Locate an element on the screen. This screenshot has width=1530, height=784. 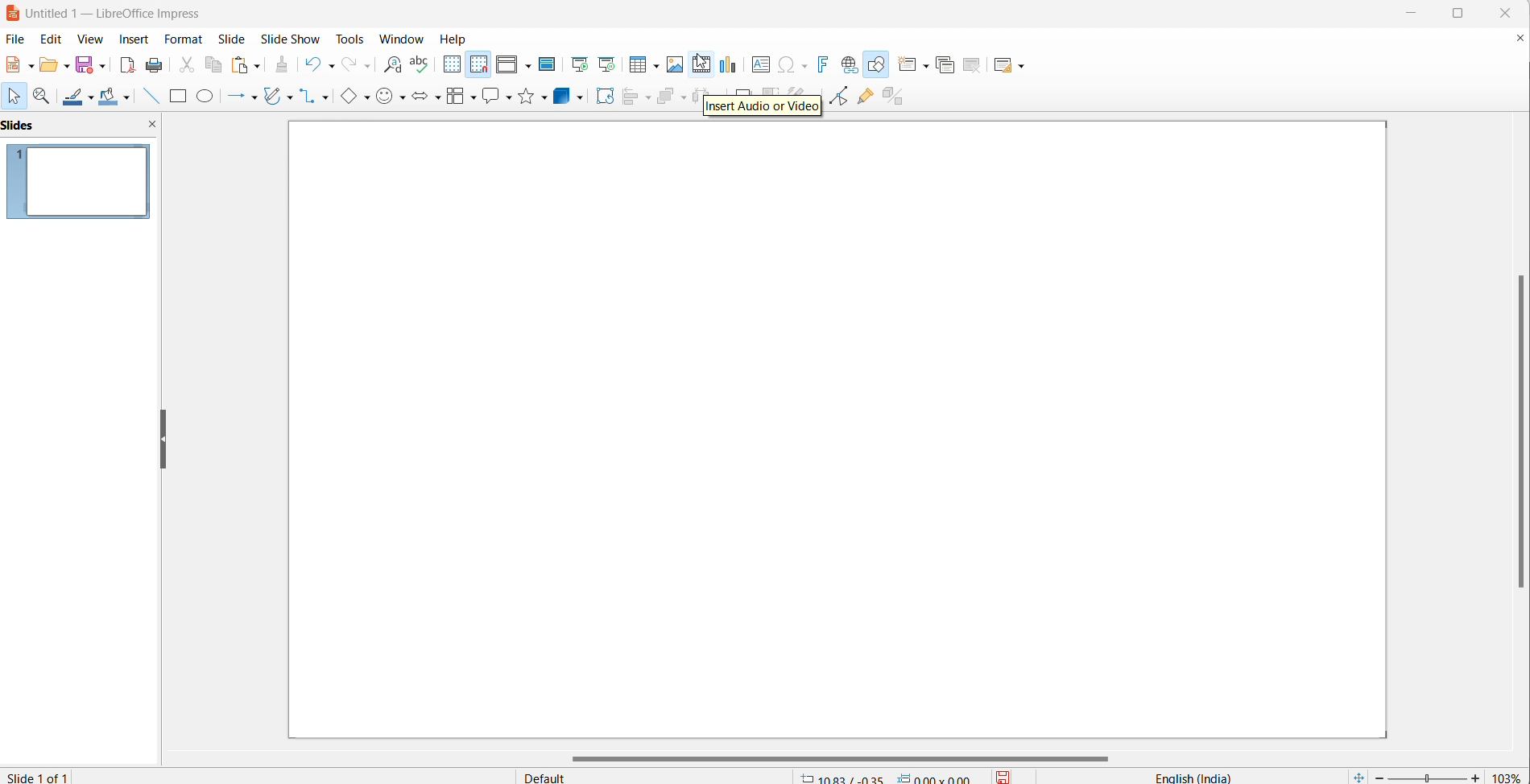
crop image is located at coordinates (771, 89).